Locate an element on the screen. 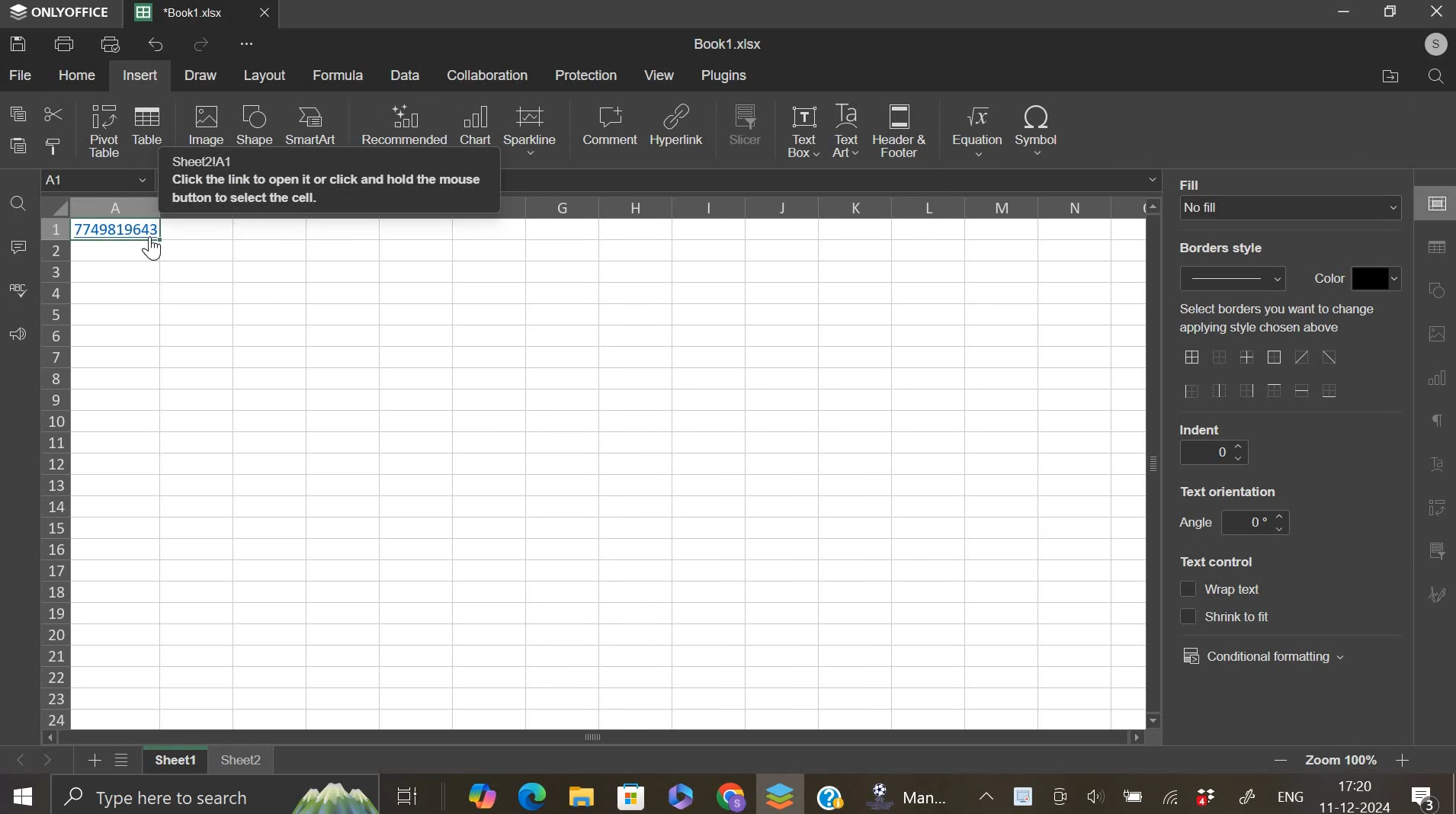 This screenshot has height=814, width=1456. image is located at coordinates (209, 125).